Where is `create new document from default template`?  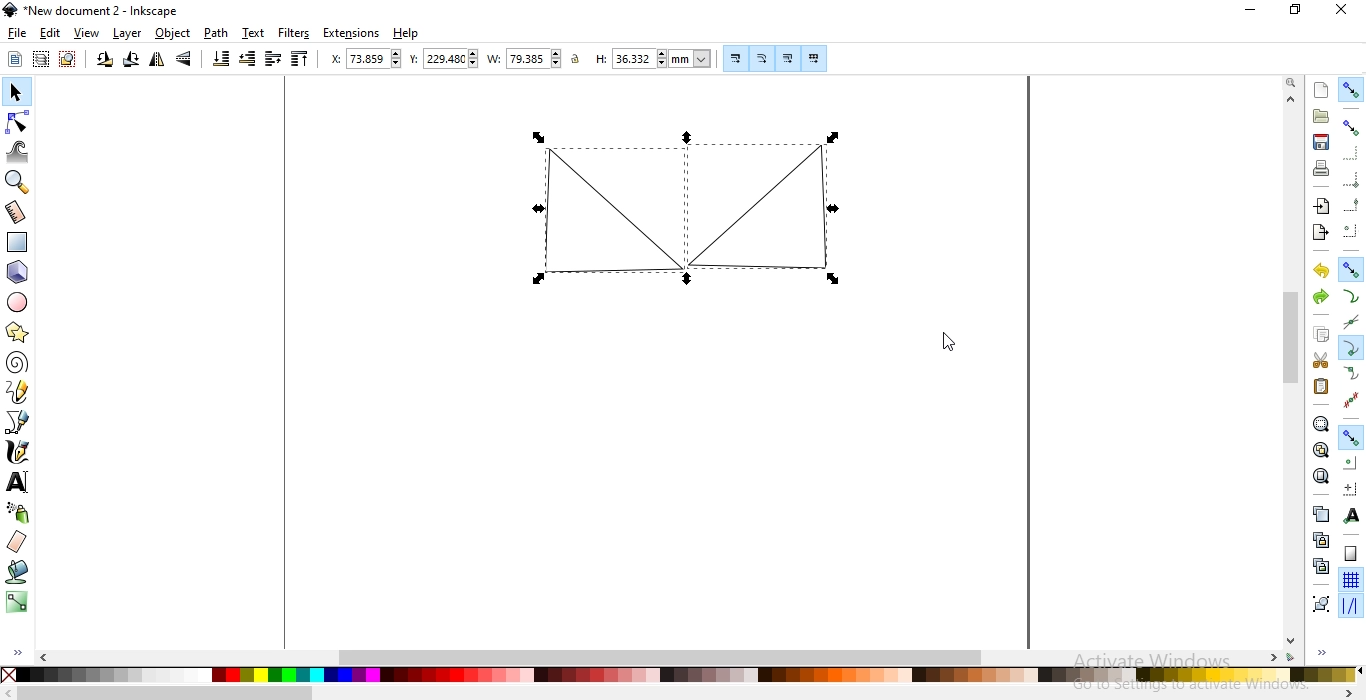
create new document from default template is located at coordinates (1322, 88).